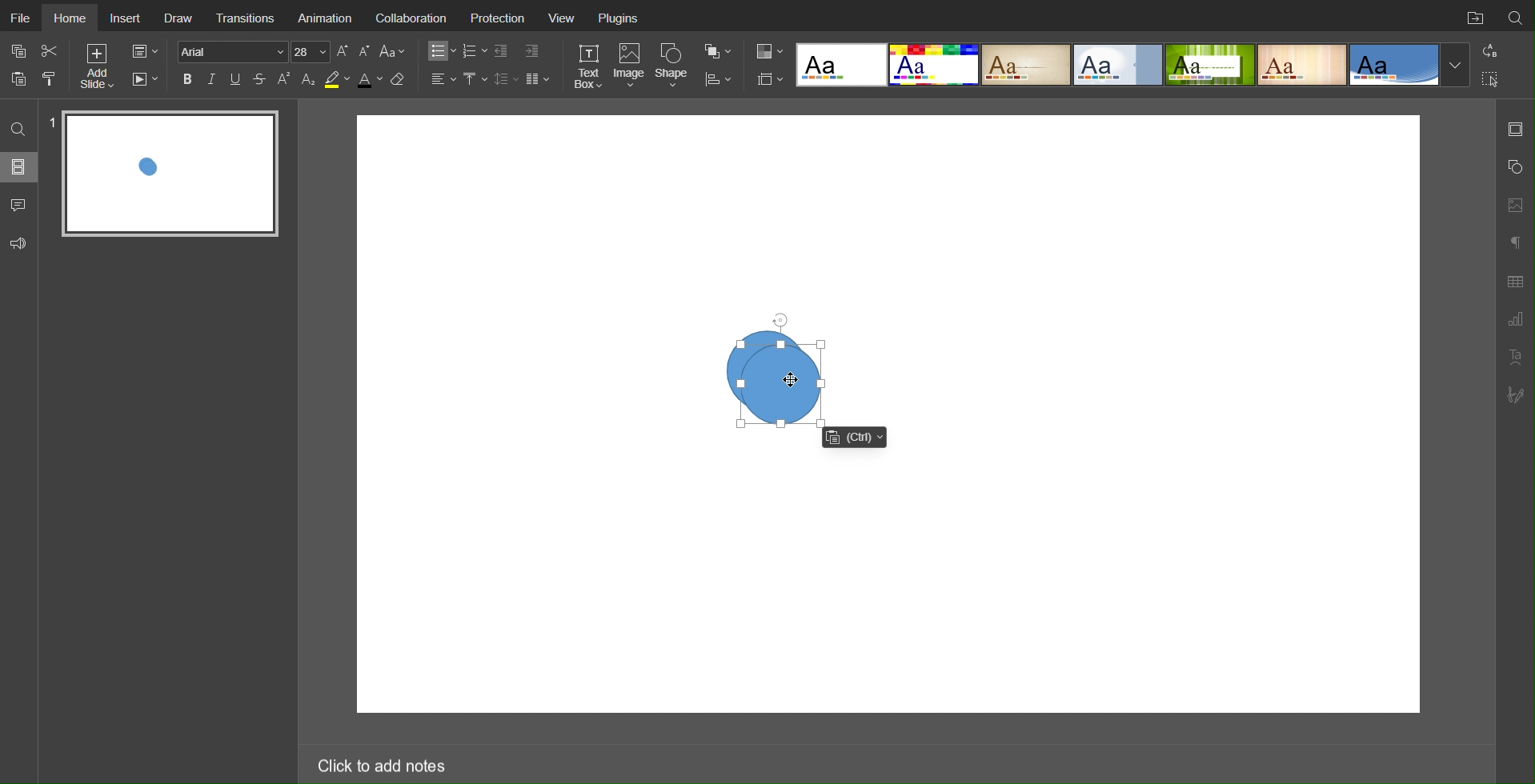 The height and width of the screenshot is (784, 1535). I want to click on Strikethrough, so click(260, 79).